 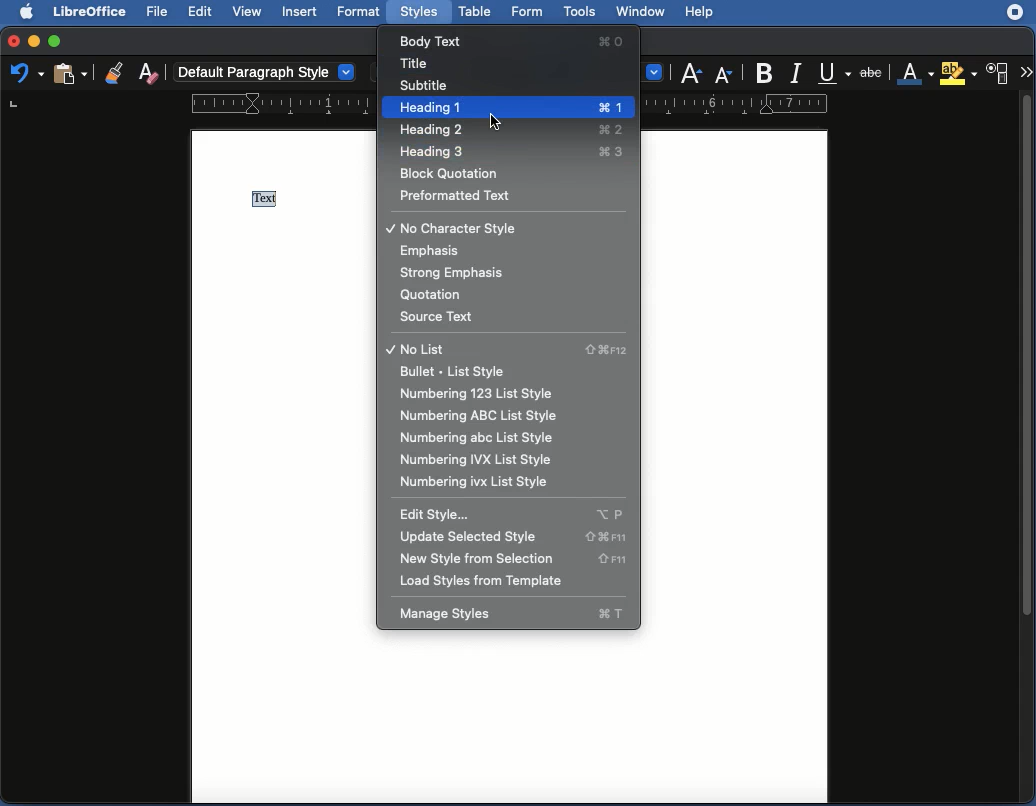 What do you see at coordinates (736, 104) in the screenshot?
I see `ruler` at bounding box center [736, 104].